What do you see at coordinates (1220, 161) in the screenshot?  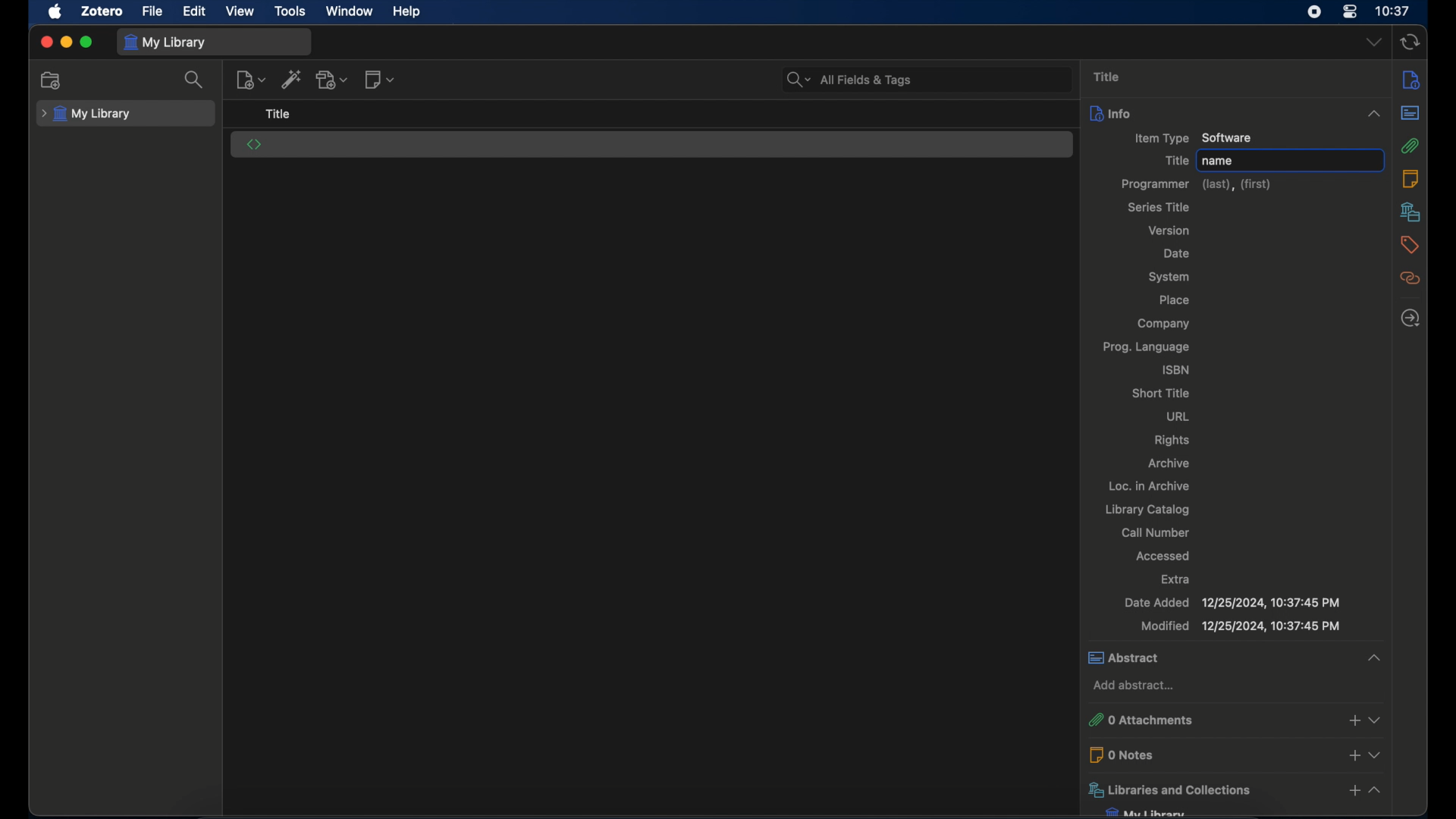 I see `name` at bounding box center [1220, 161].